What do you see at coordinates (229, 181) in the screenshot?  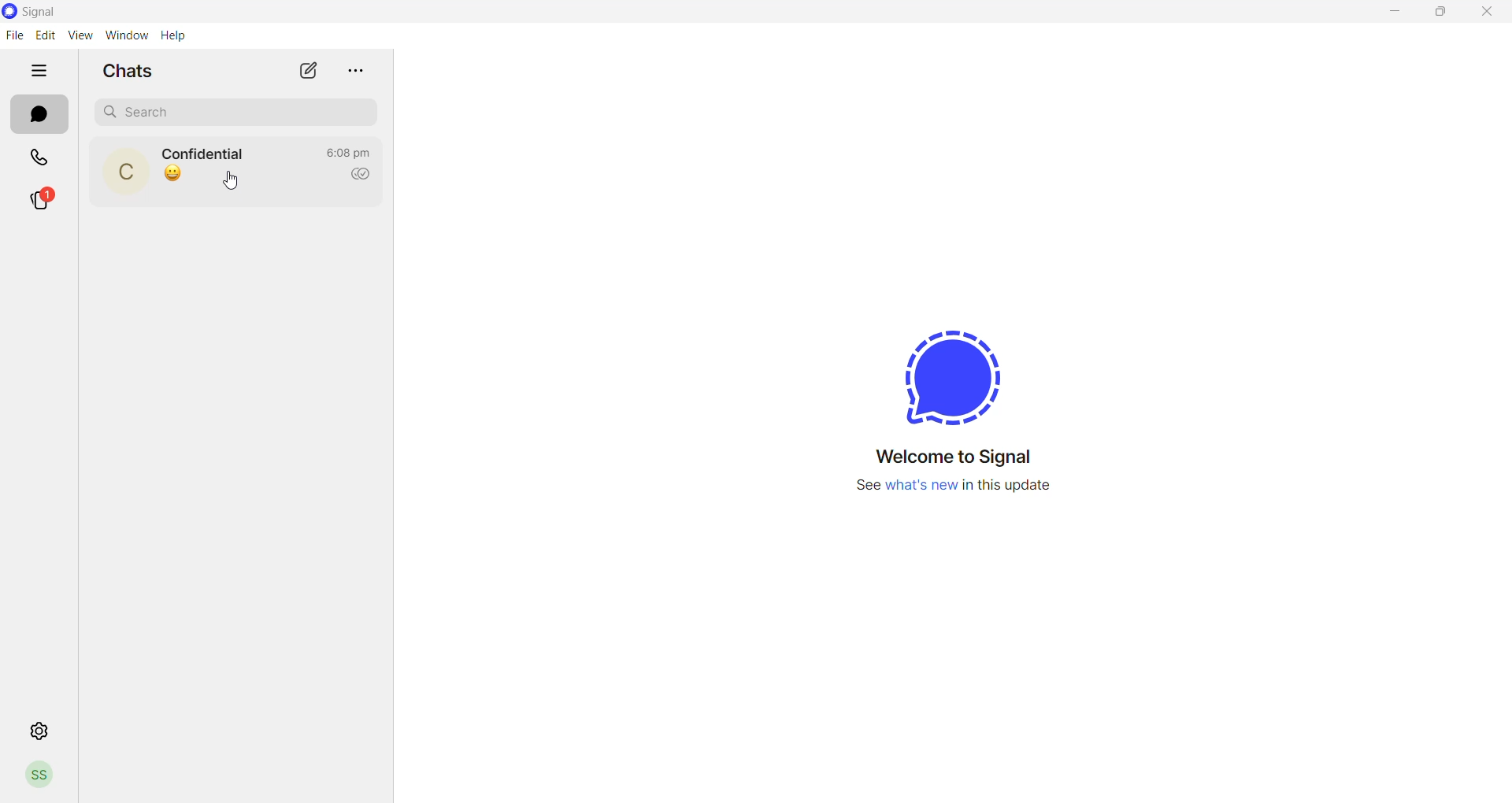 I see `cursor` at bounding box center [229, 181].